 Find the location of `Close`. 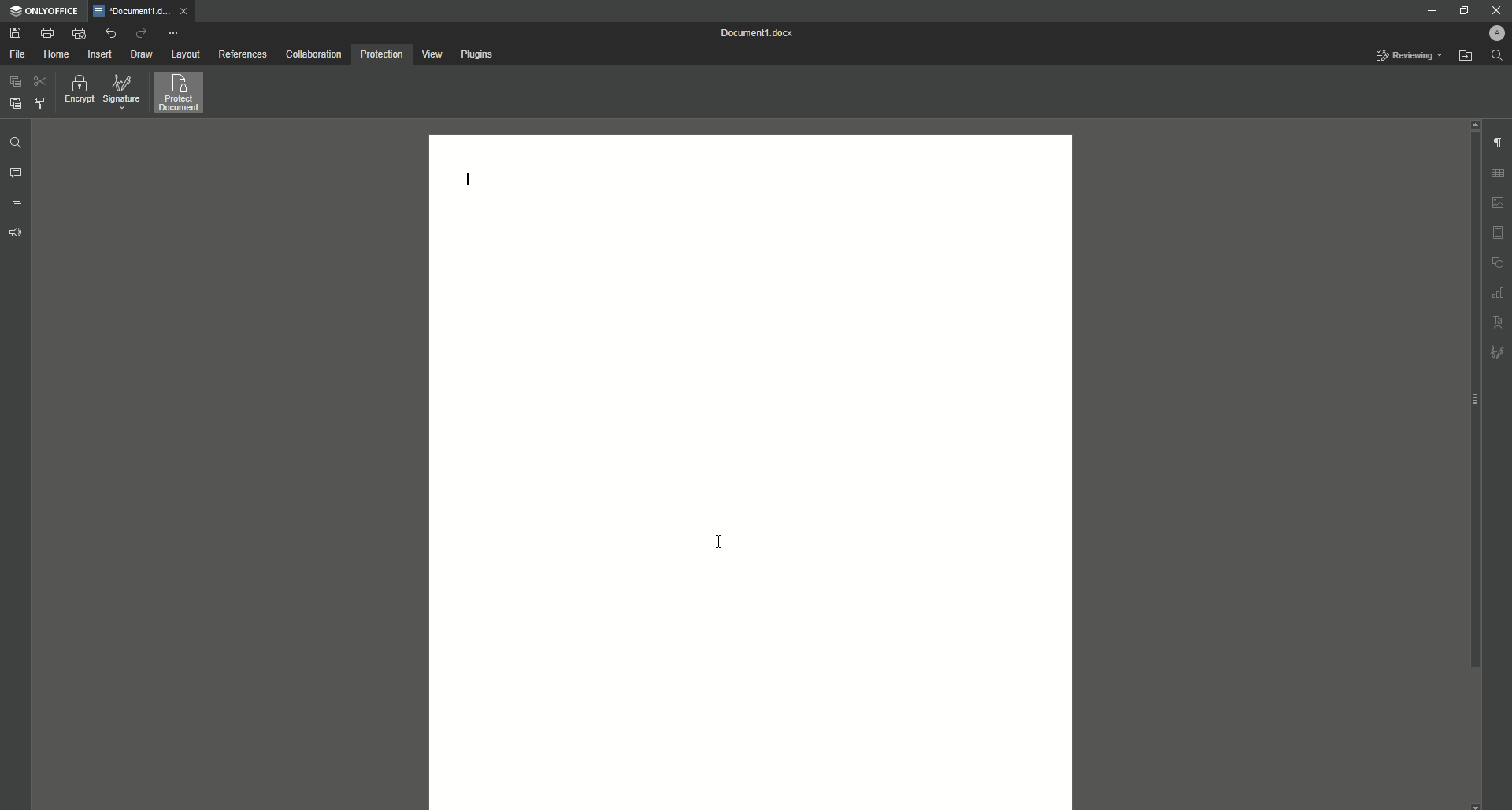

Close is located at coordinates (1494, 10).